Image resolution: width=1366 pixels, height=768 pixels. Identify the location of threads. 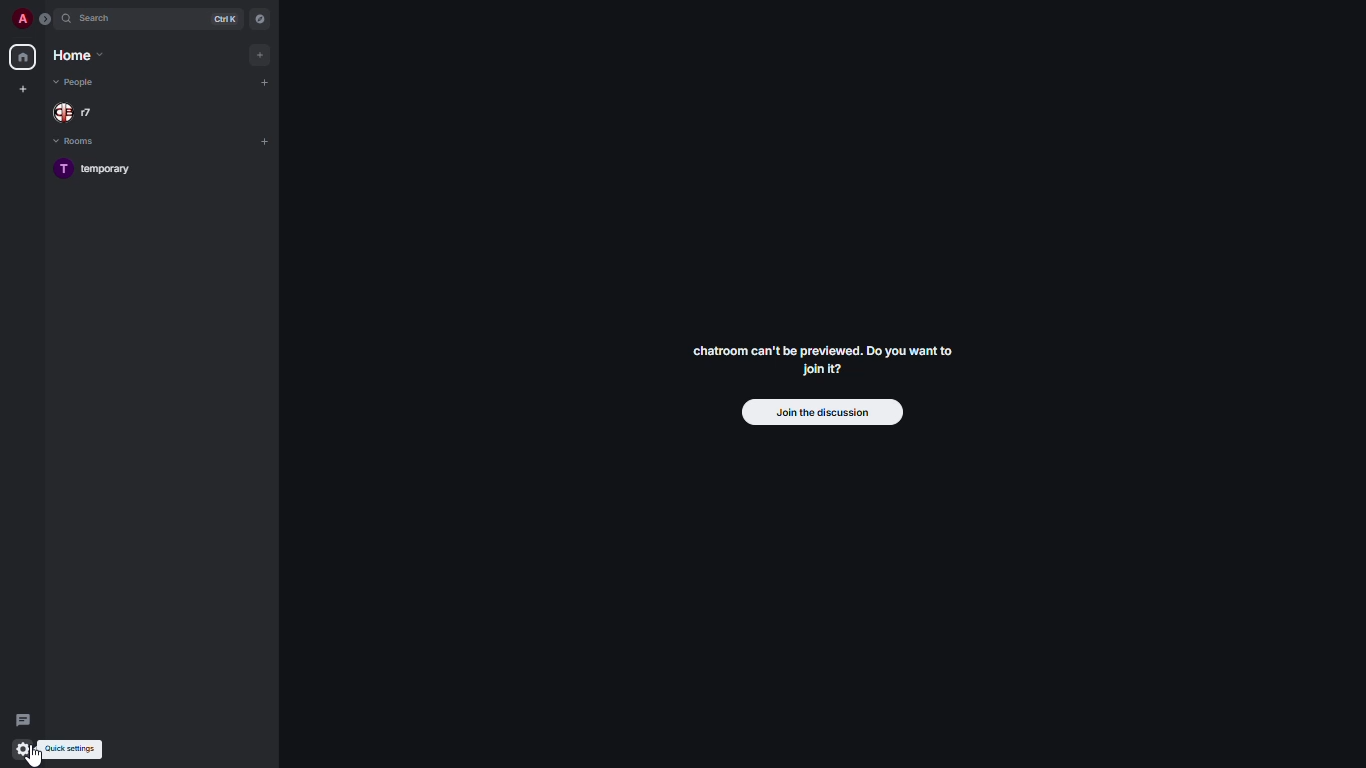
(22, 716).